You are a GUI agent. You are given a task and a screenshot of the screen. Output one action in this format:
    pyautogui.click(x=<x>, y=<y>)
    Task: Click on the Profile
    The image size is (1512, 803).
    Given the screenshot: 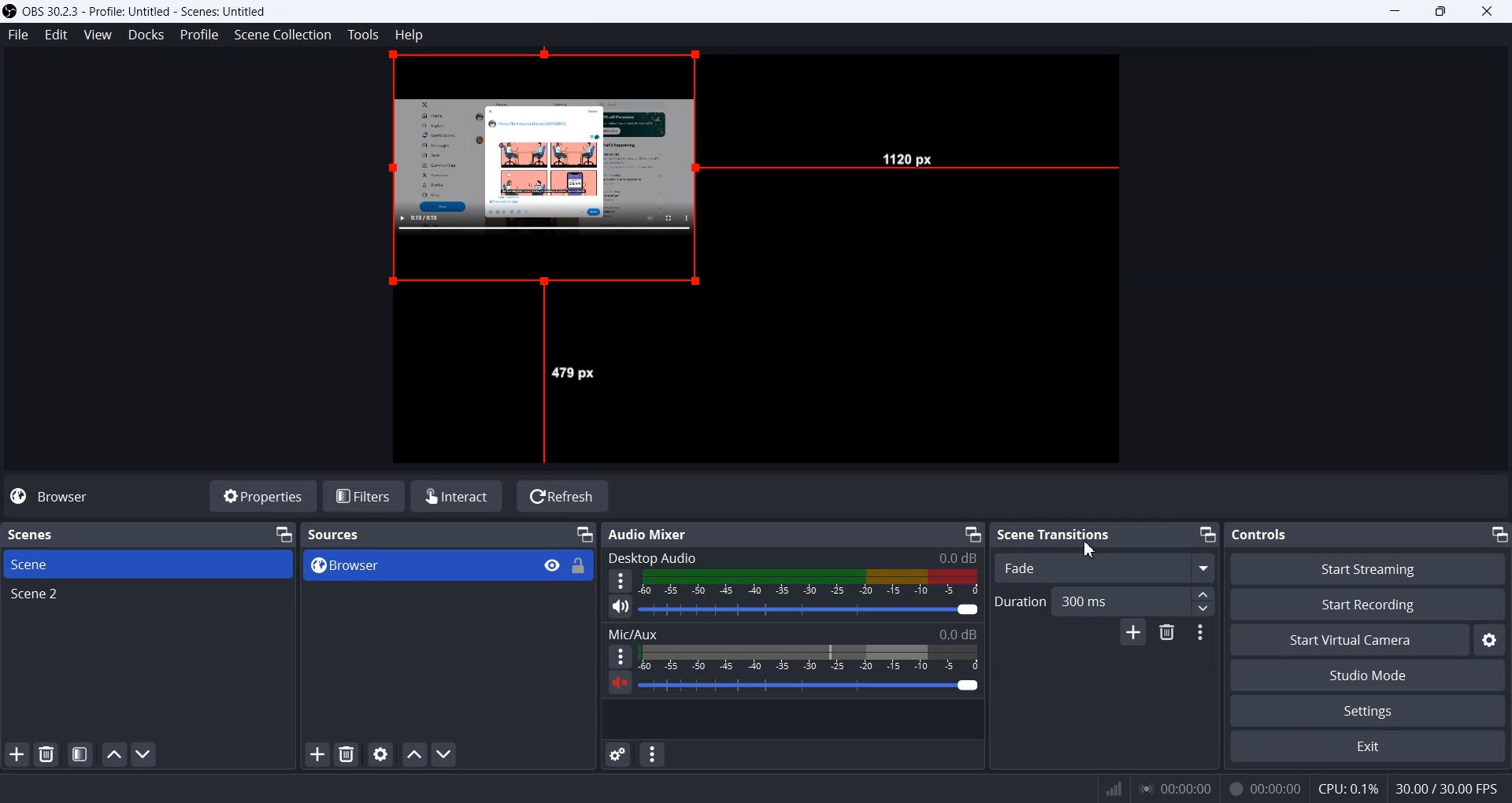 What is the action you would take?
    pyautogui.click(x=198, y=34)
    